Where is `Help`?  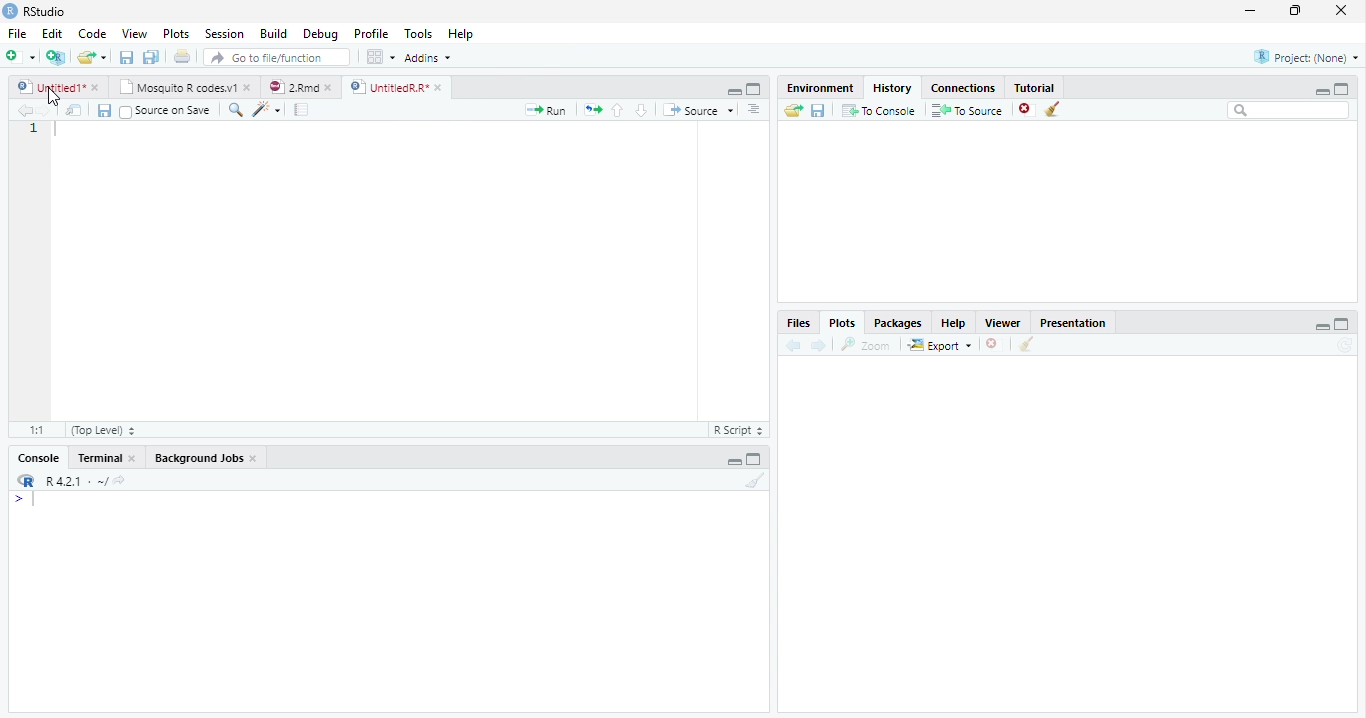 Help is located at coordinates (955, 324).